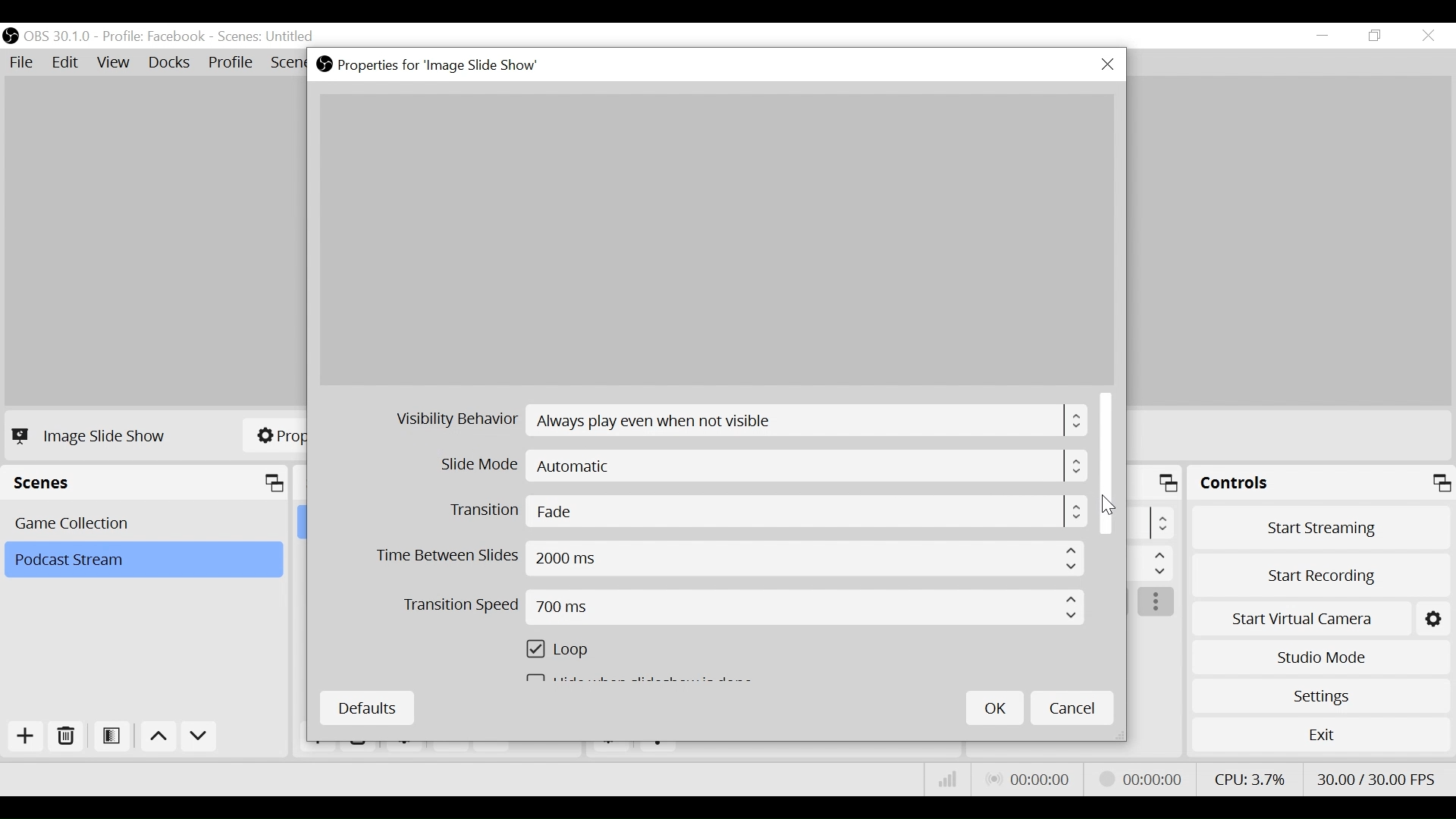 This screenshot has width=1456, height=819. I want to click on Defaults, so click(366, 708).